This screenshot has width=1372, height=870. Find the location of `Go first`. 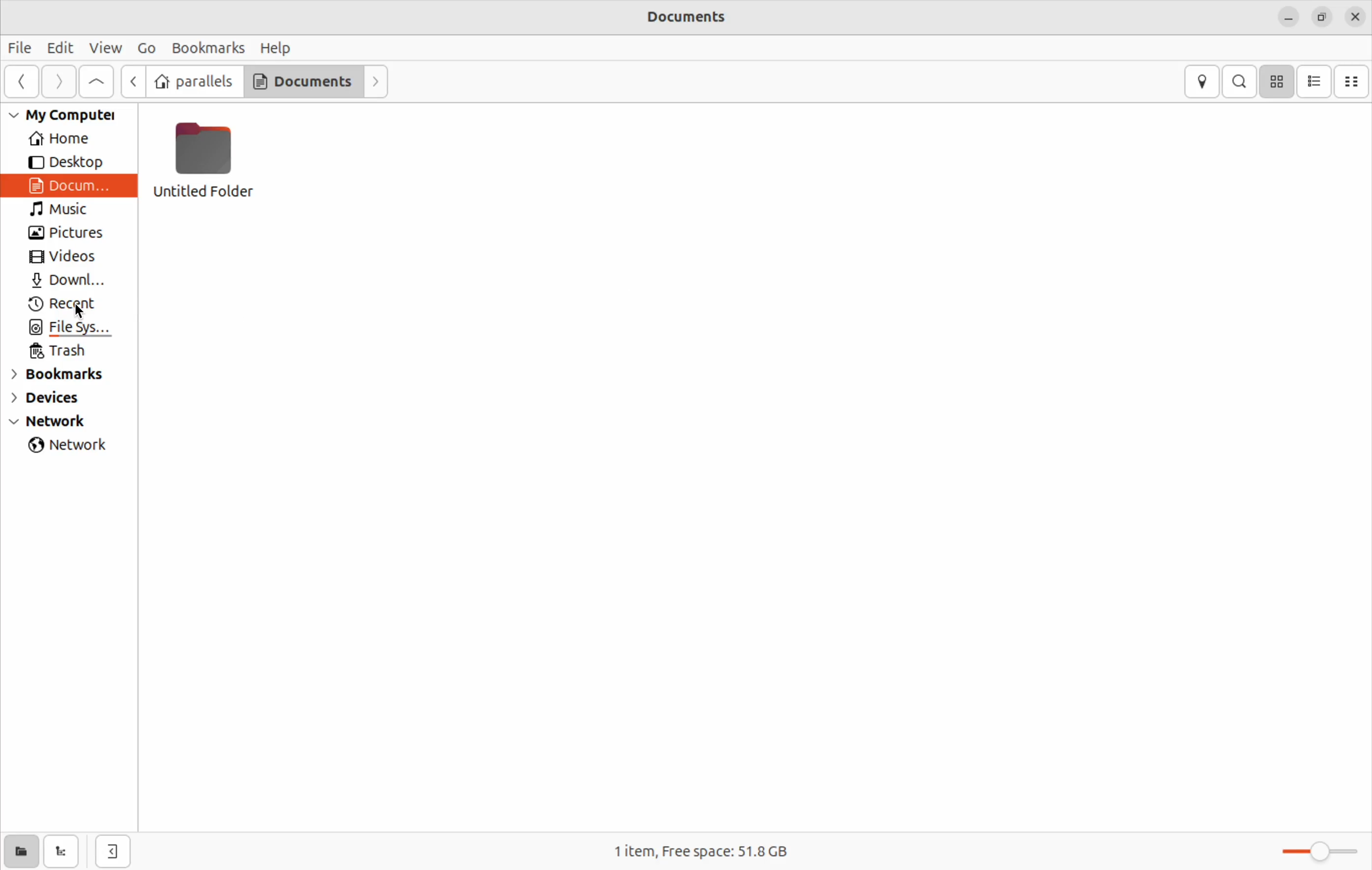

Go first is located at coordinates (96, 81).